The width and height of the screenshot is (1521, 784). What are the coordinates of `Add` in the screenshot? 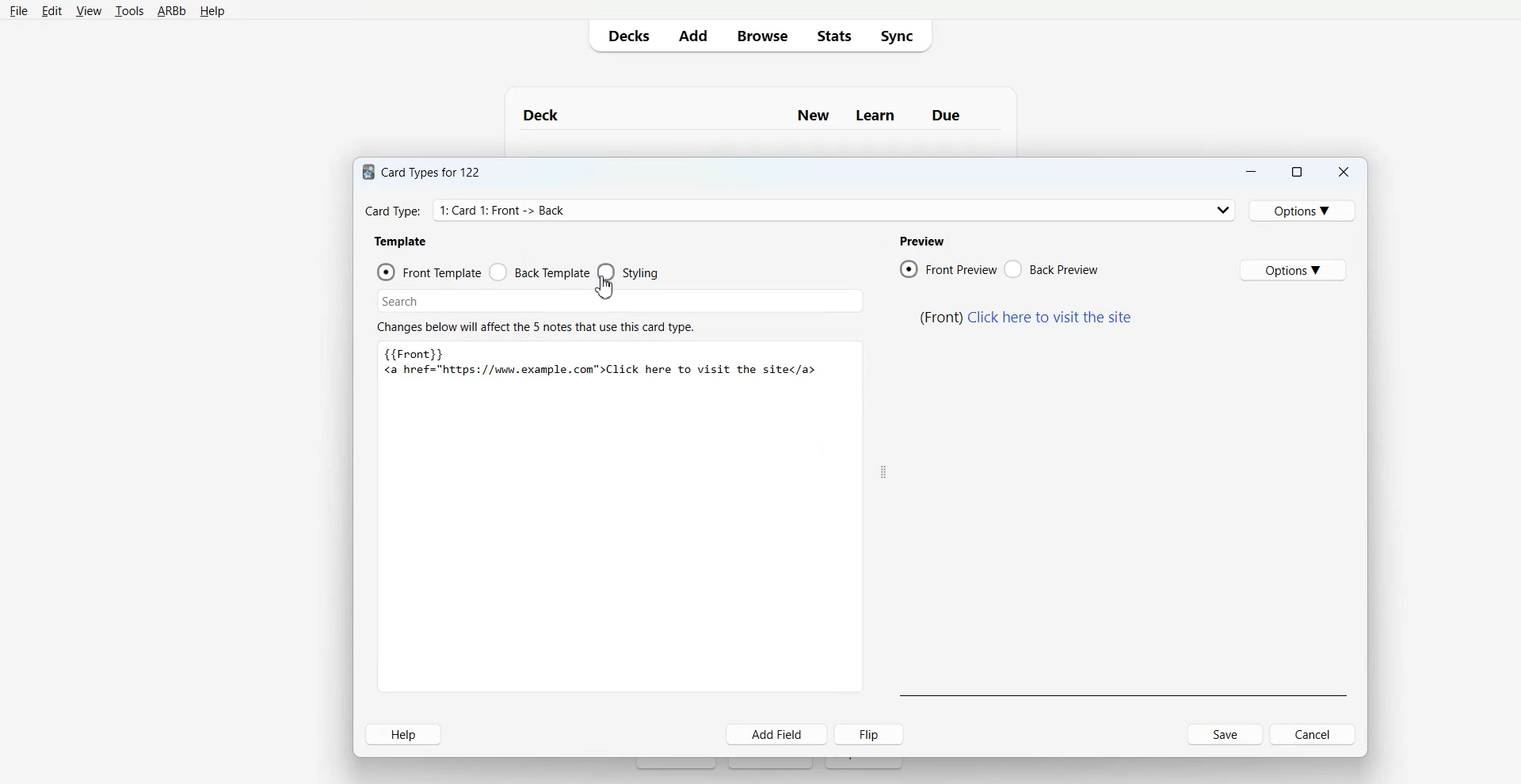 It's located at (692, 35).